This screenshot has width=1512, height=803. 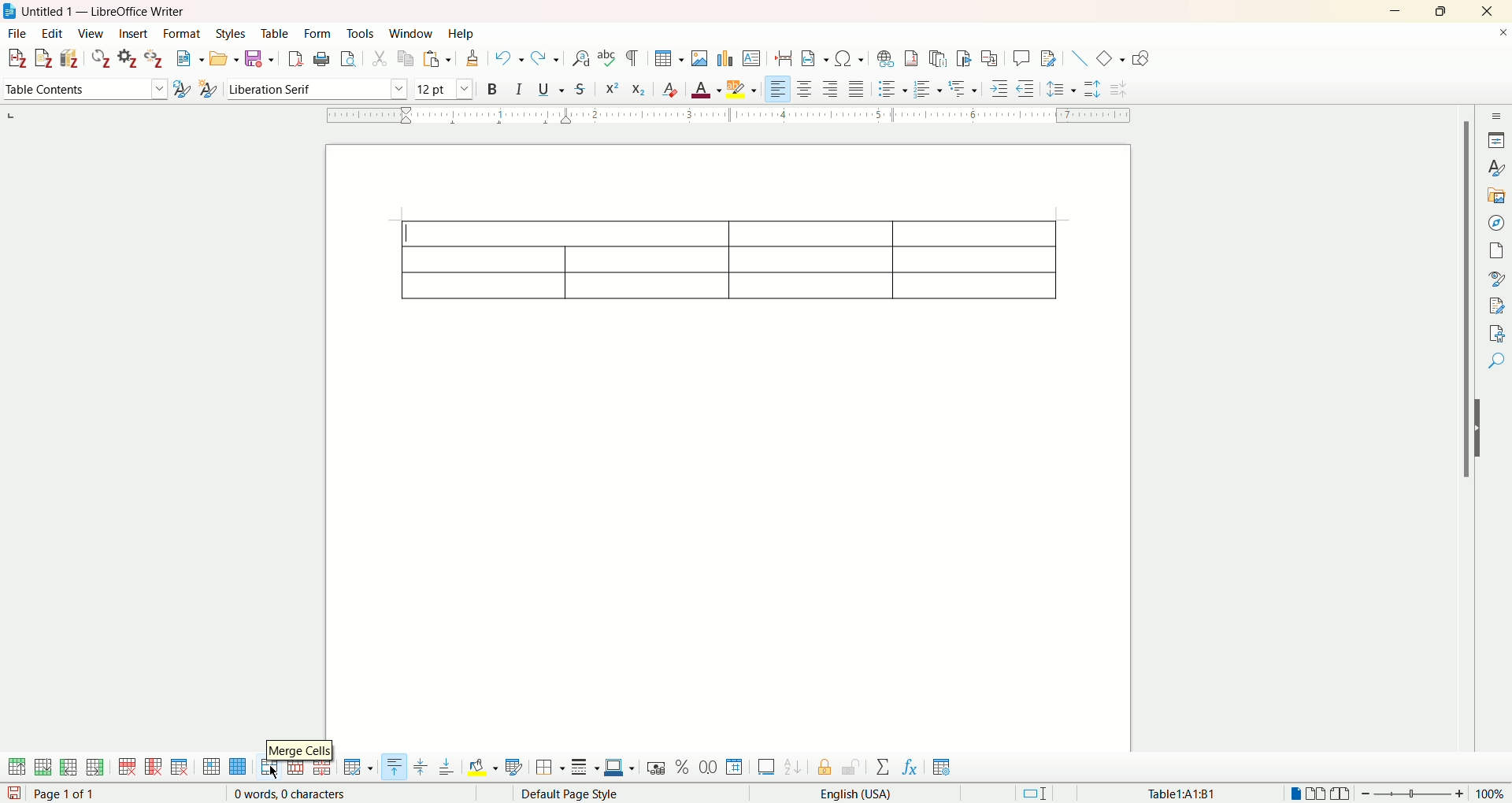 I want to click on border, so click(x=552, y=768).